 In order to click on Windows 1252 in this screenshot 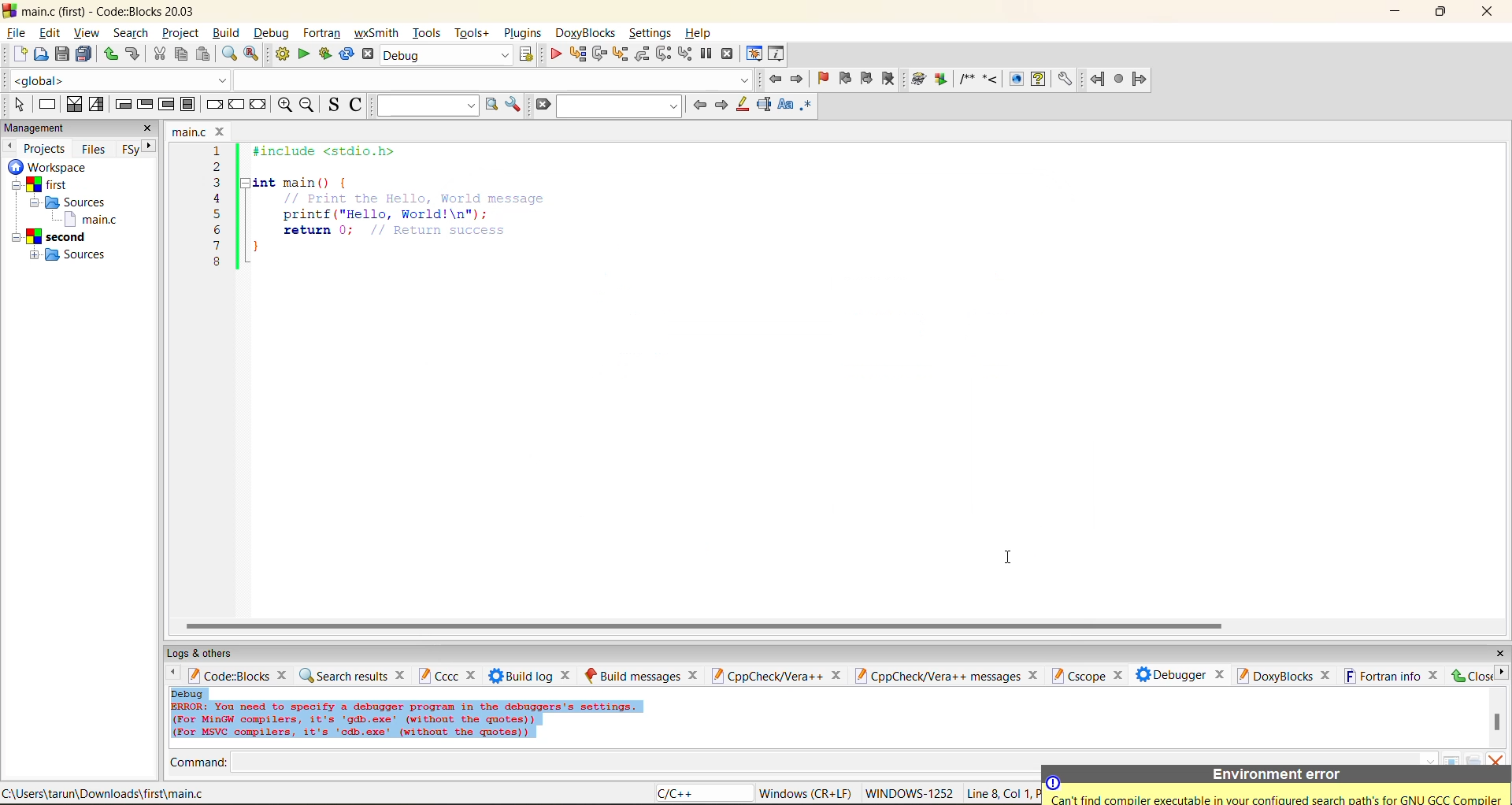, I will do `click(910, 794)`.